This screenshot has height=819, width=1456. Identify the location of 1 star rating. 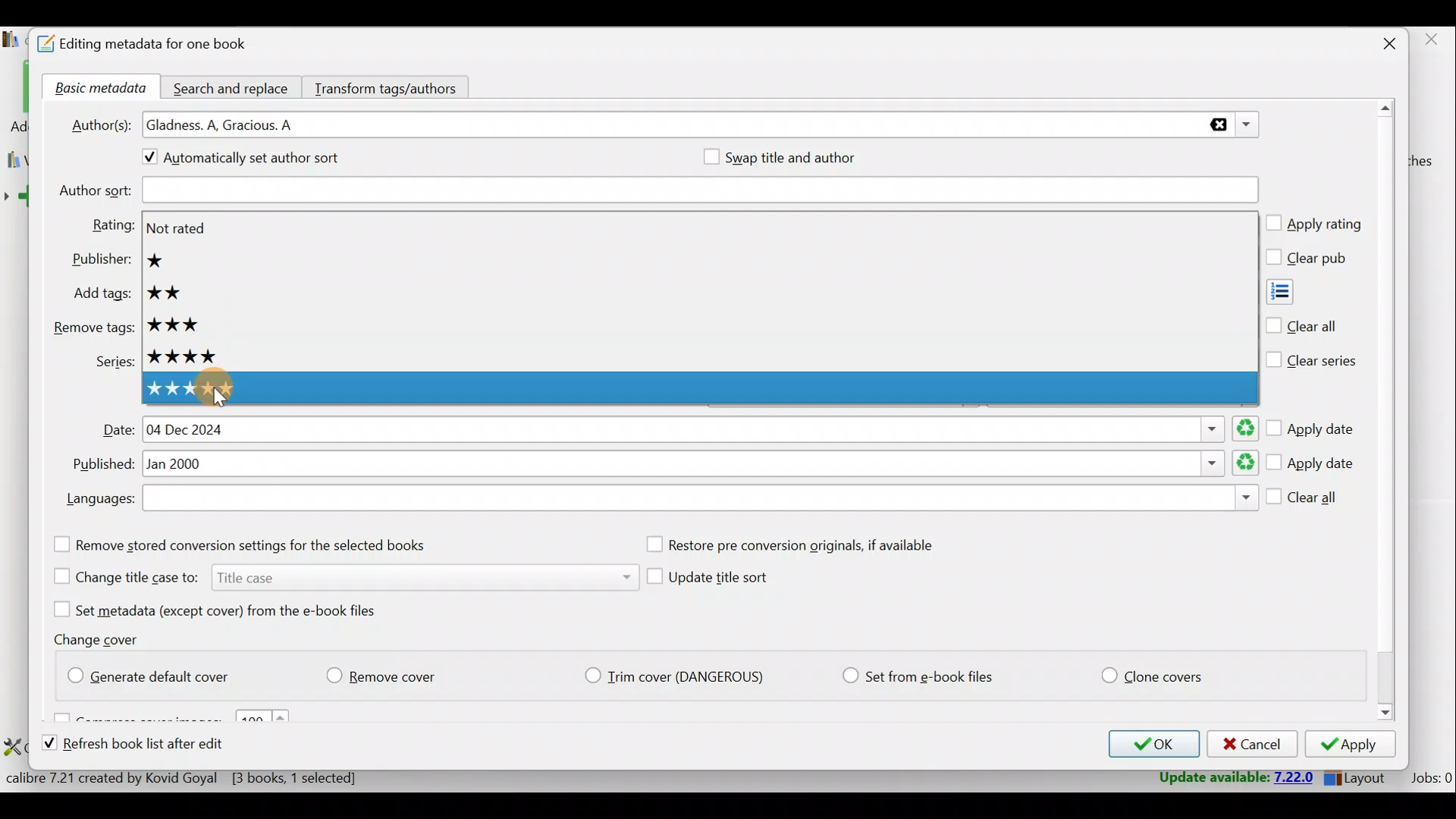
(164, 262).